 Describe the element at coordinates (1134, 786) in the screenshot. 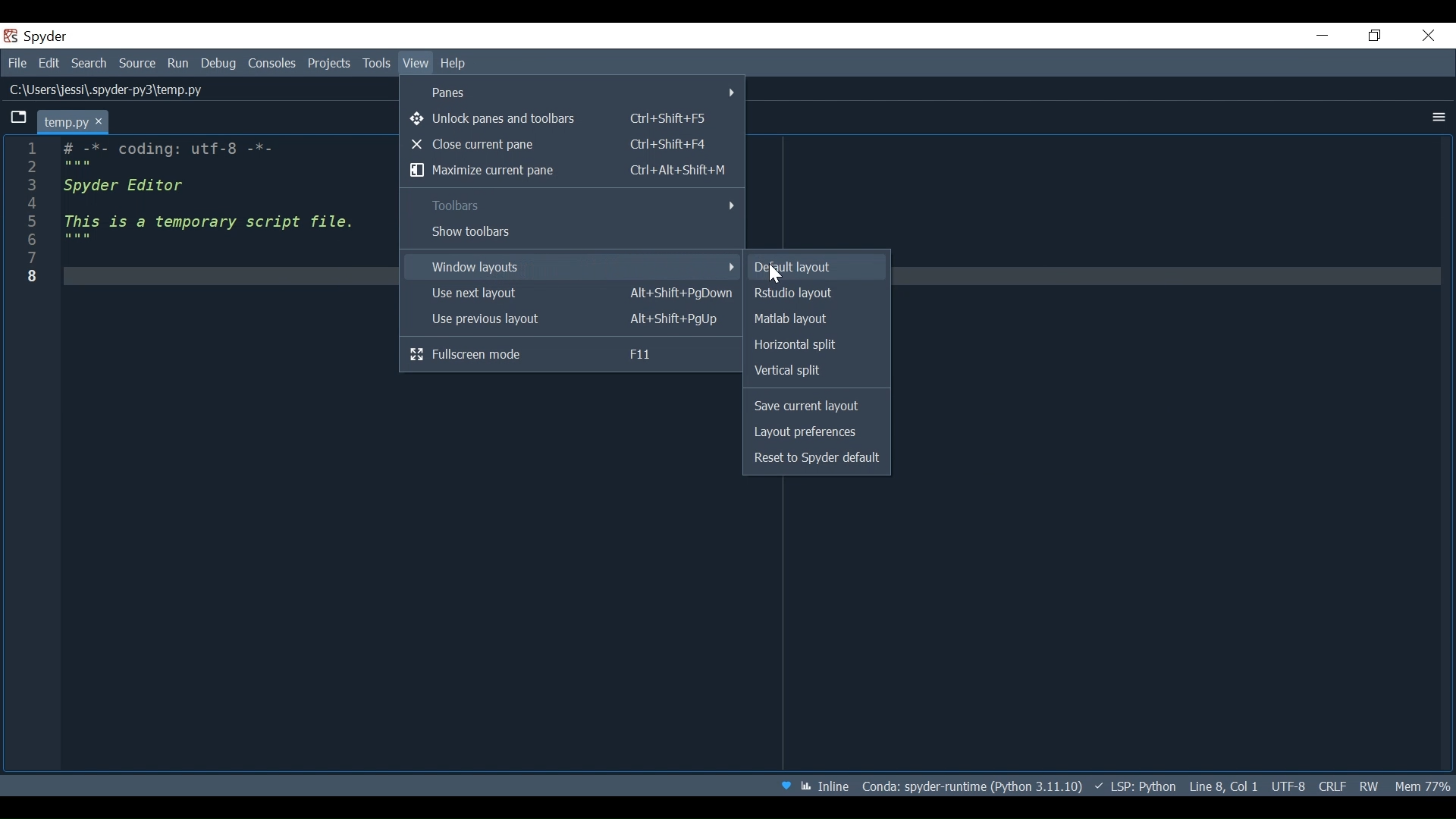

I see `Language` at that location.